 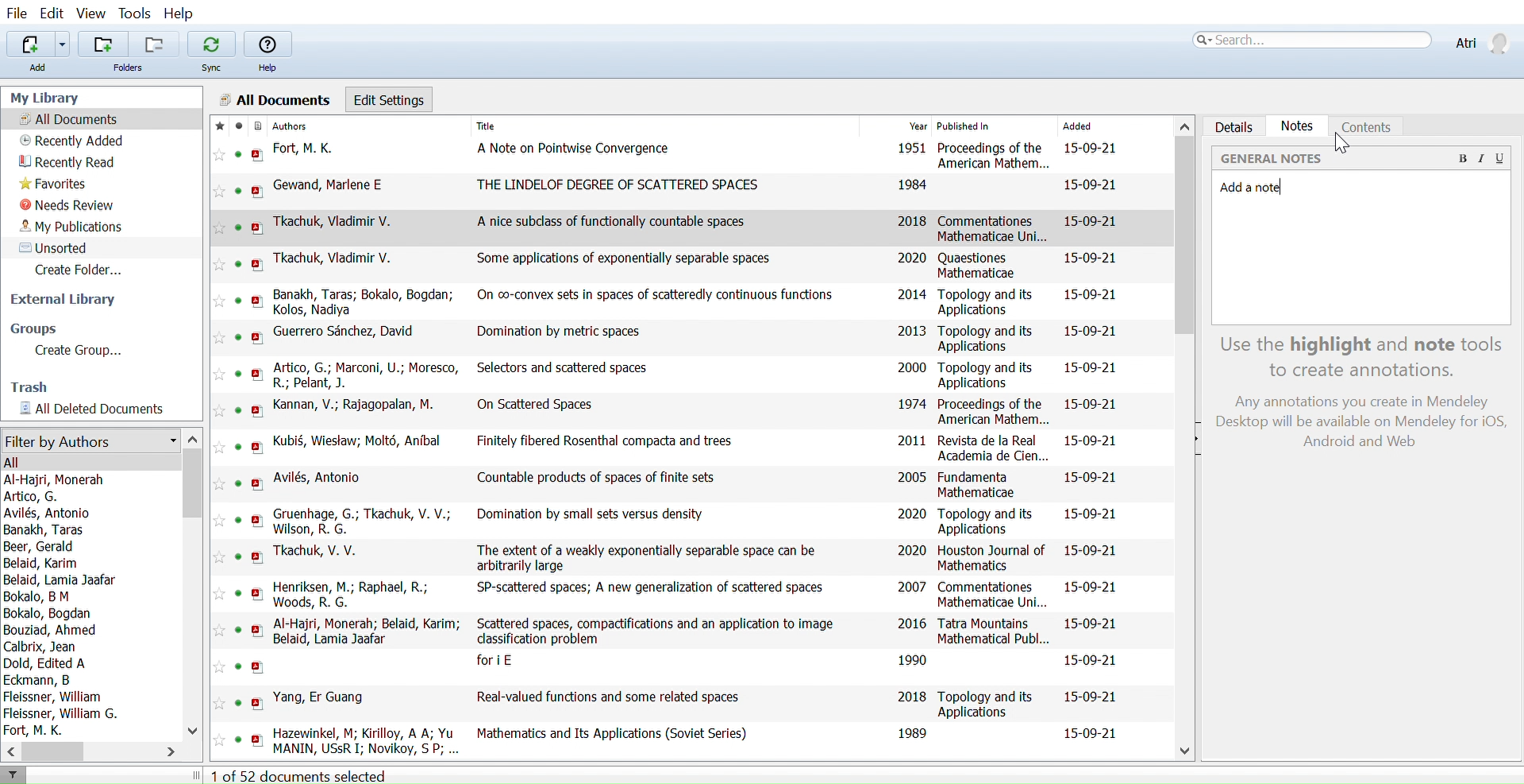 What do you see at coordinates (501, 661) in the screenshot?
I see `fori E` at bounding box center [501, 661].